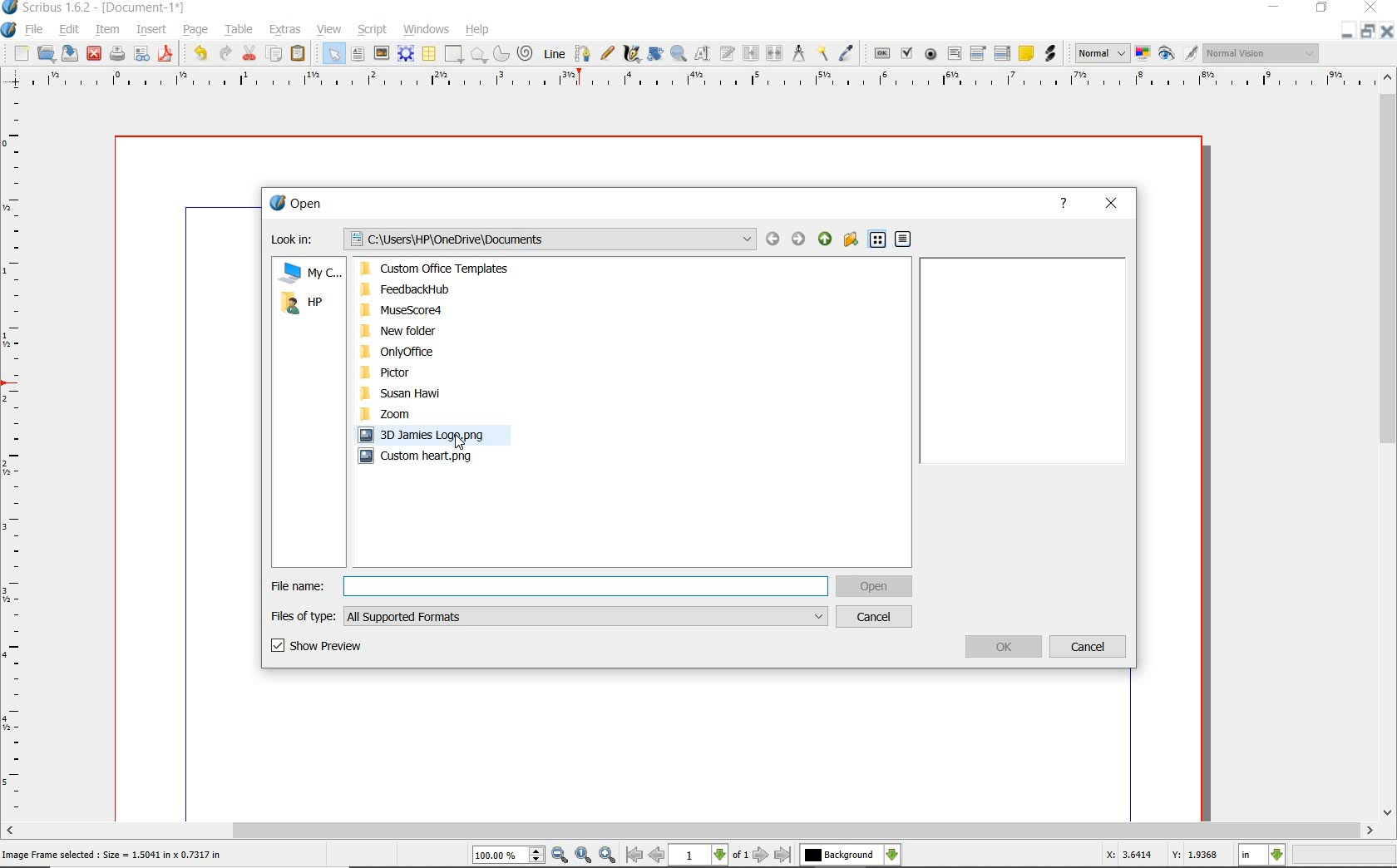 Image resolution: width=1397 pixels, height=868 pixels. What do you see at coordinates (609, 54) in the screenshot?
I see `freehand line` at bounding box center [609, 54].